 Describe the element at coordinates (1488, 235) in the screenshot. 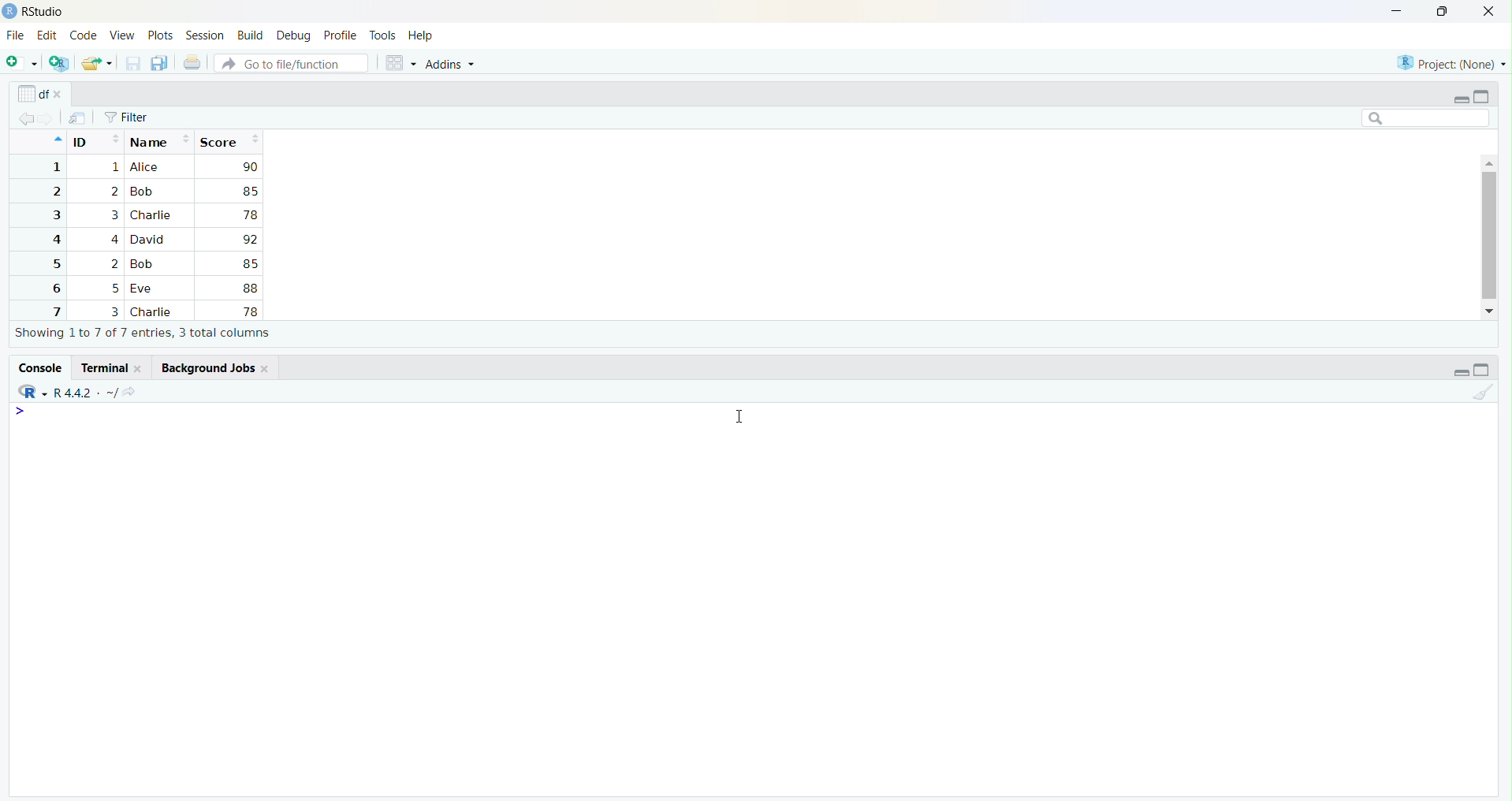

I see `scroll bar` at that location.